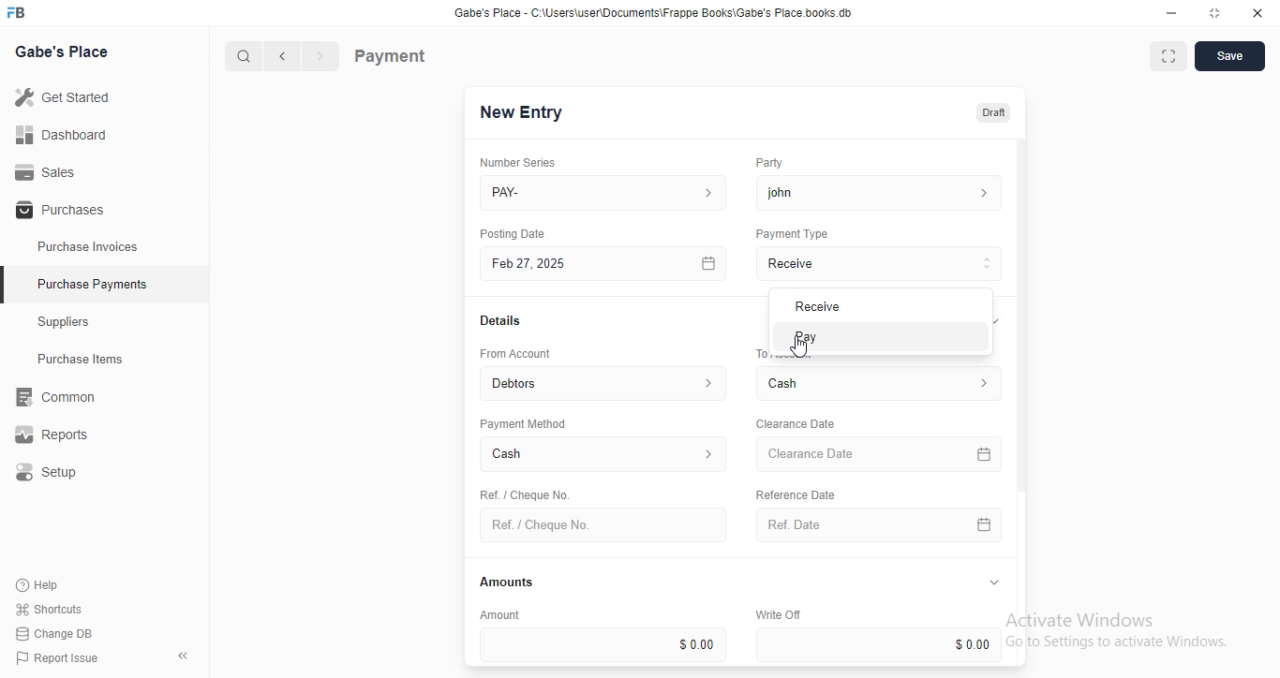  Describe the element at coordinates (22, 13) in the screenshot. I see `logo` at that location.